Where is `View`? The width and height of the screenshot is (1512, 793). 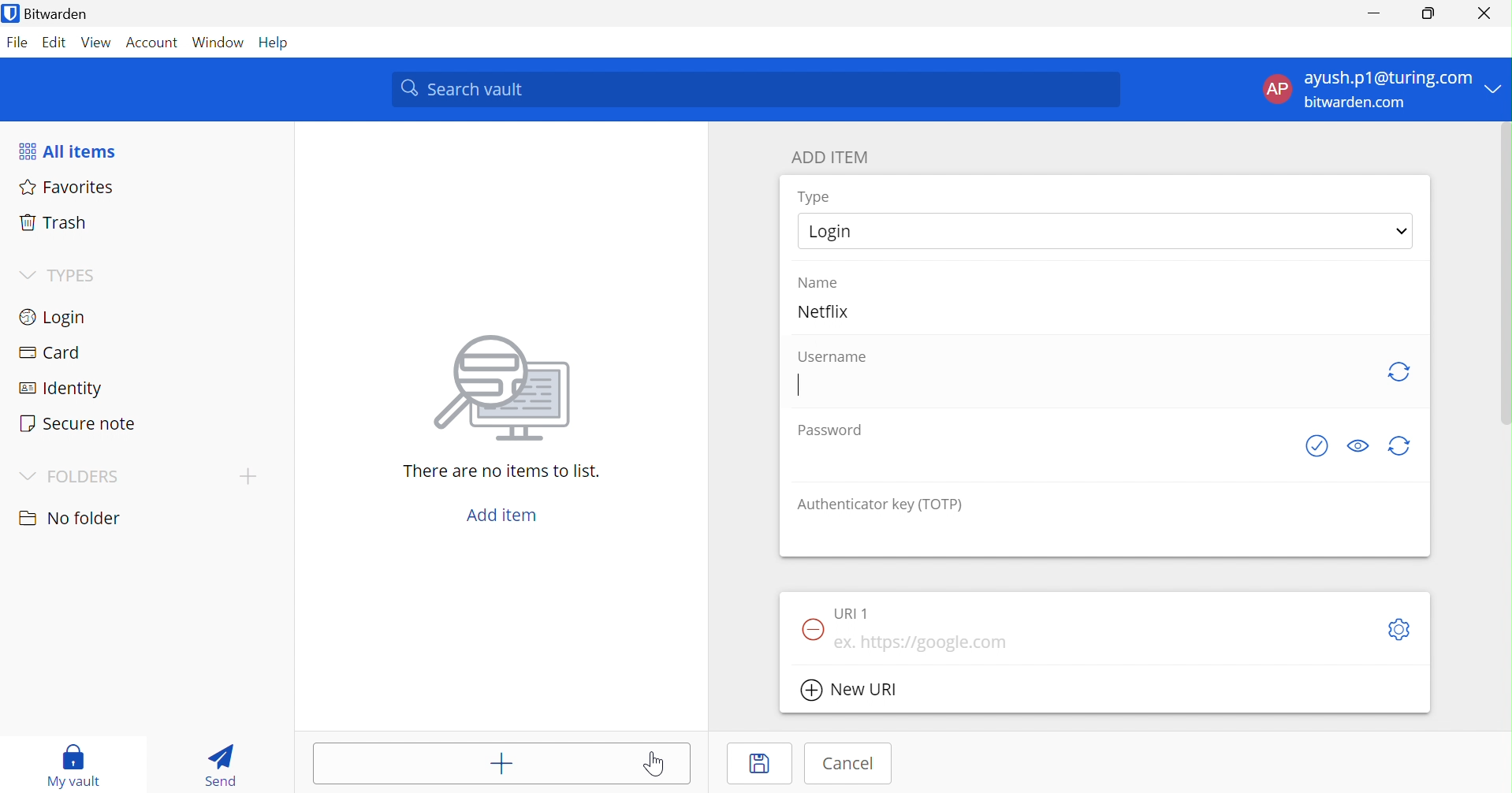 View is located at coordinates (96, 43).